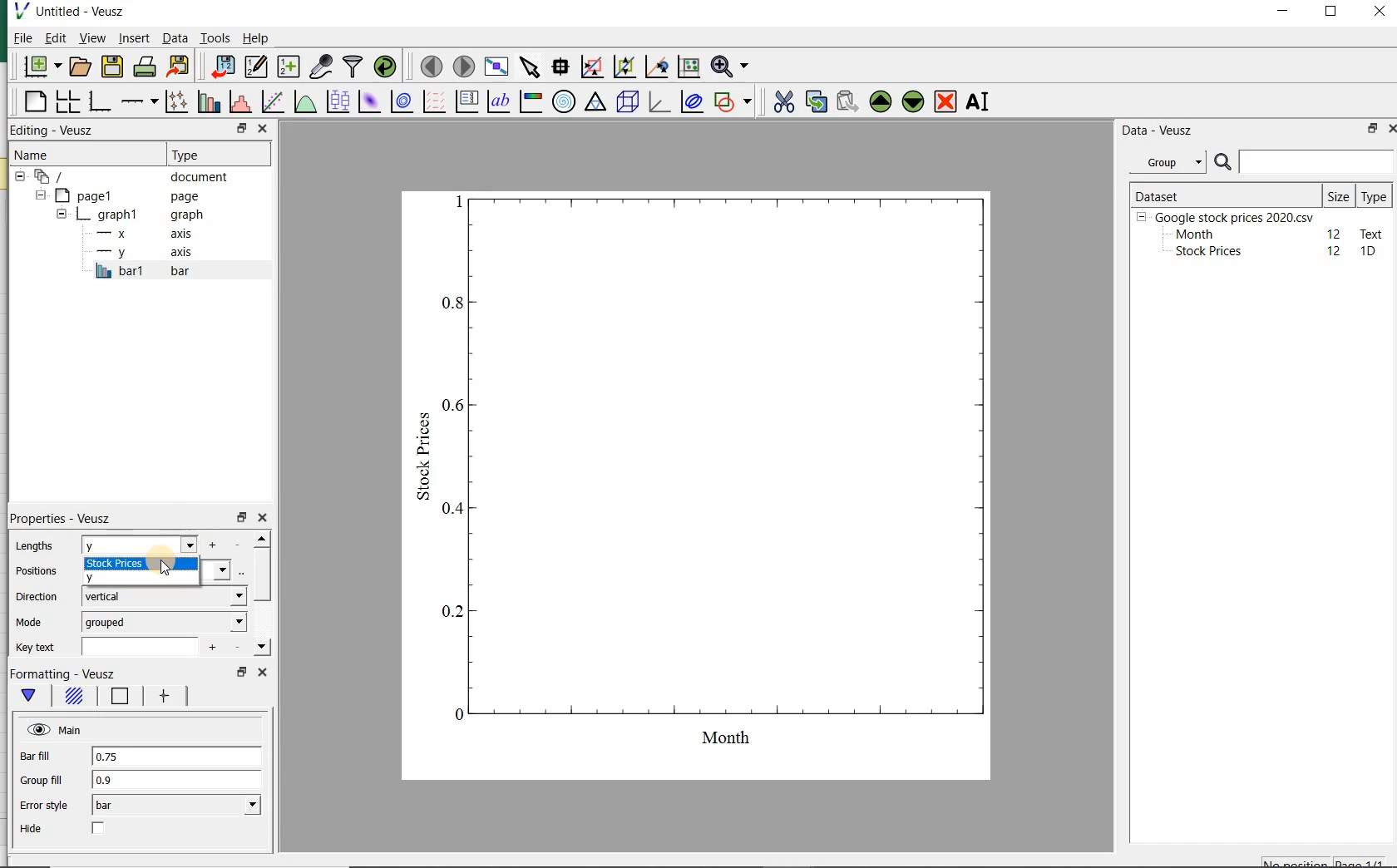 The image size is (1397, 868). What do you see at coordinates (496, 67) in the screenshot?
I see `view plot full screen` at bounding box center [496, 67].